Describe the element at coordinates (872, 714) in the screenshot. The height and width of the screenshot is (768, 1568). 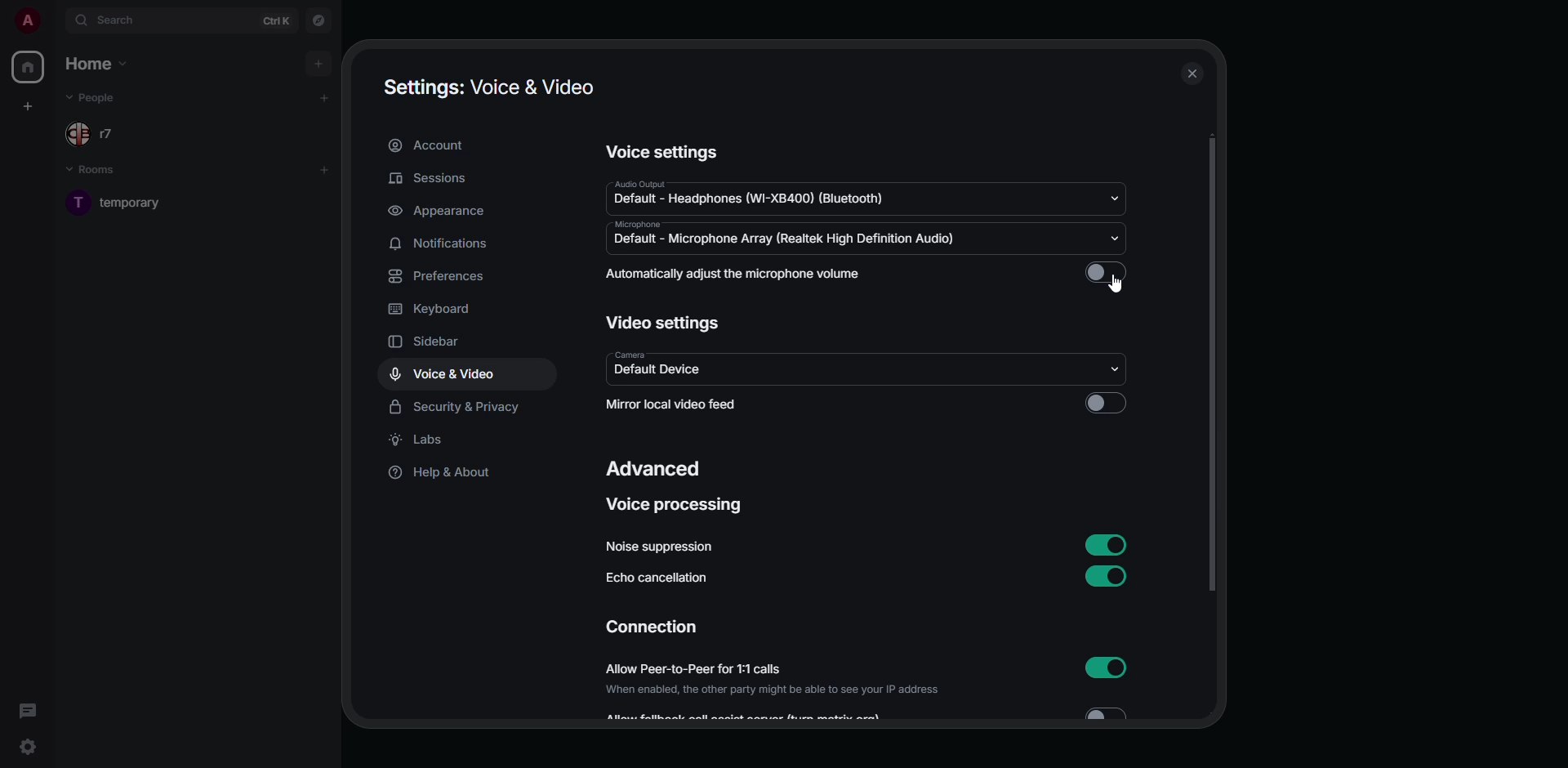
I see `Allow...` at that location.